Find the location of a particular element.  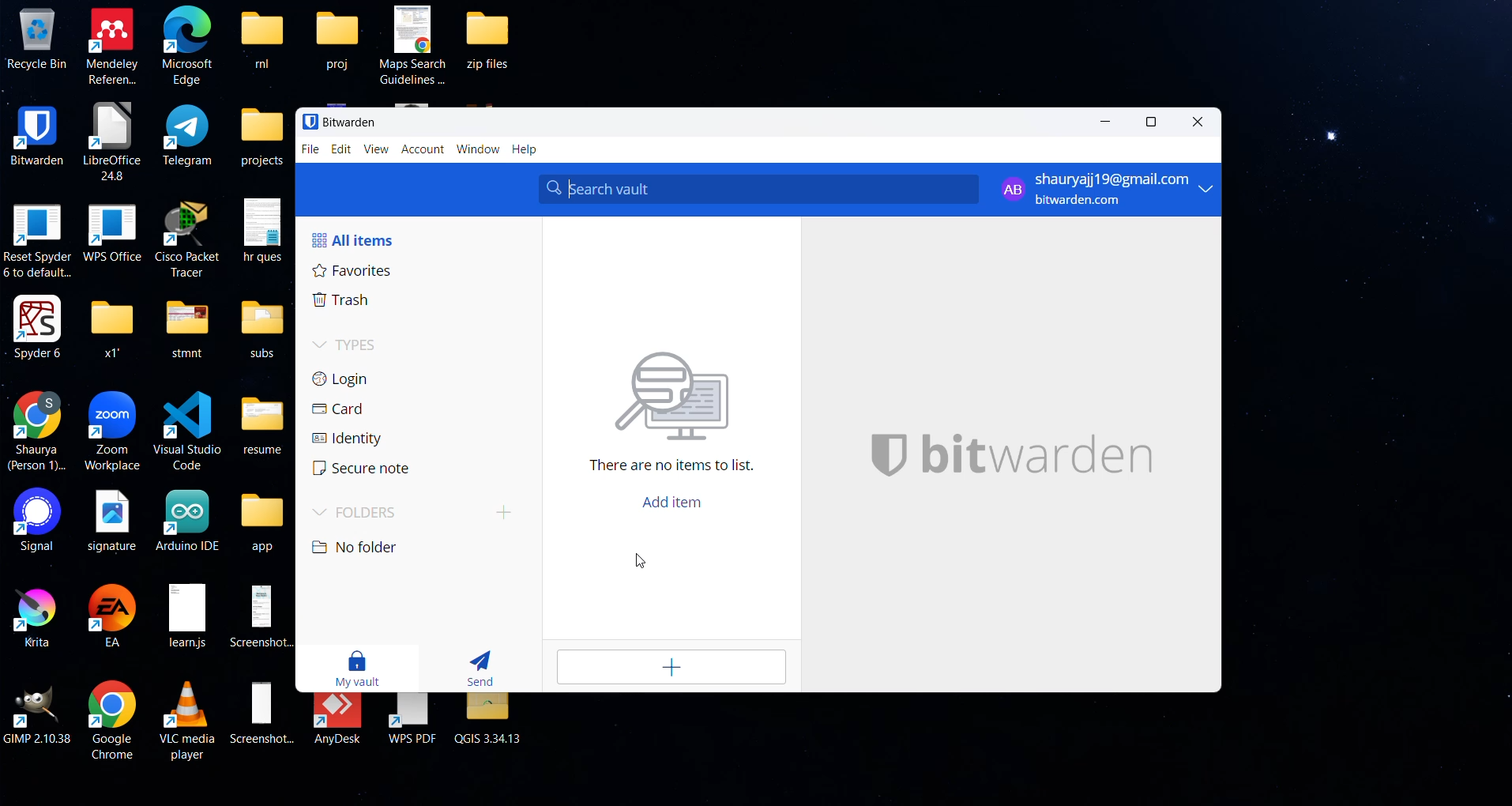

minimize is located at coordinates (1108, 124).